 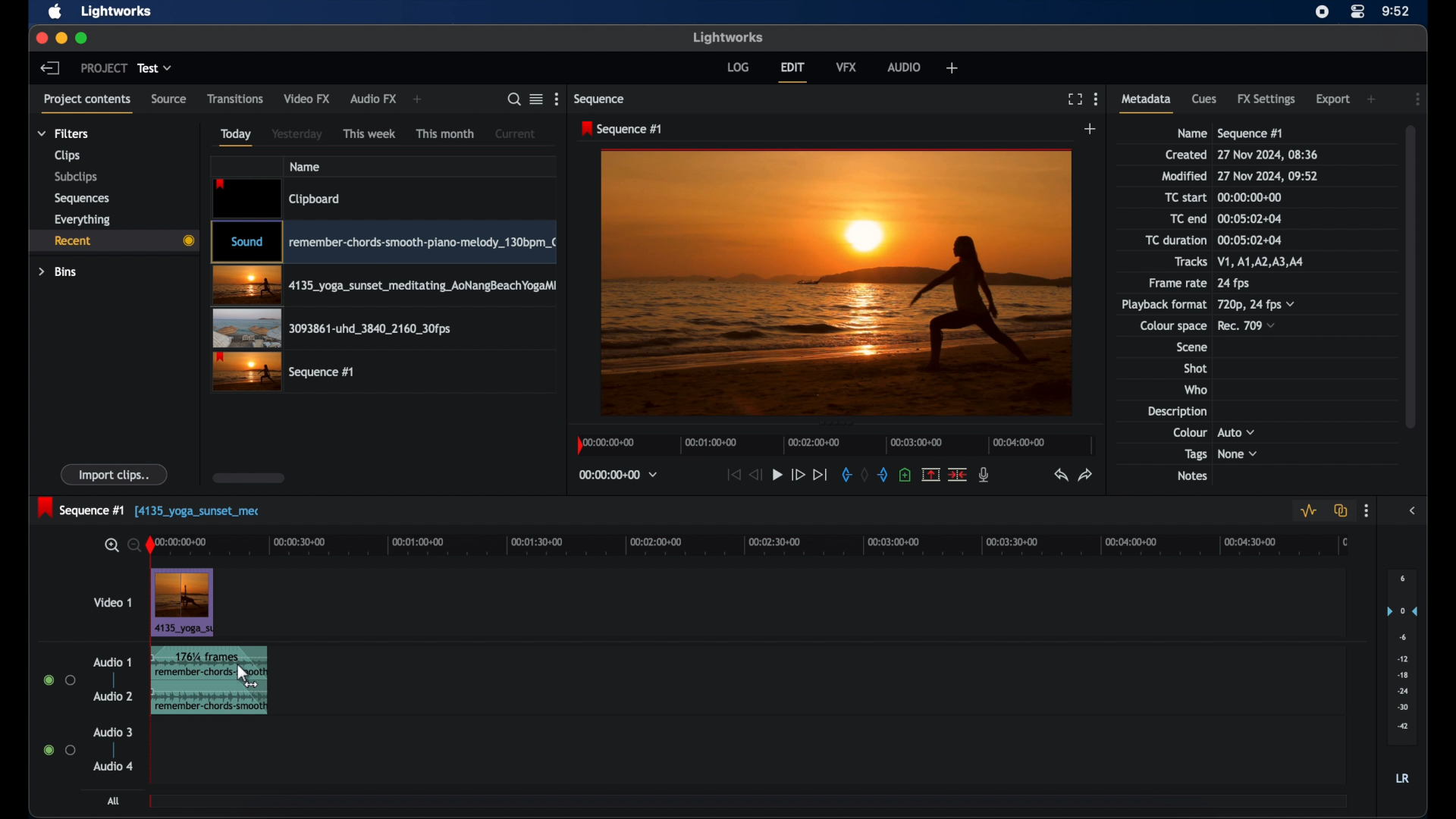 I want to click on play head, so click(x=151, y=546).